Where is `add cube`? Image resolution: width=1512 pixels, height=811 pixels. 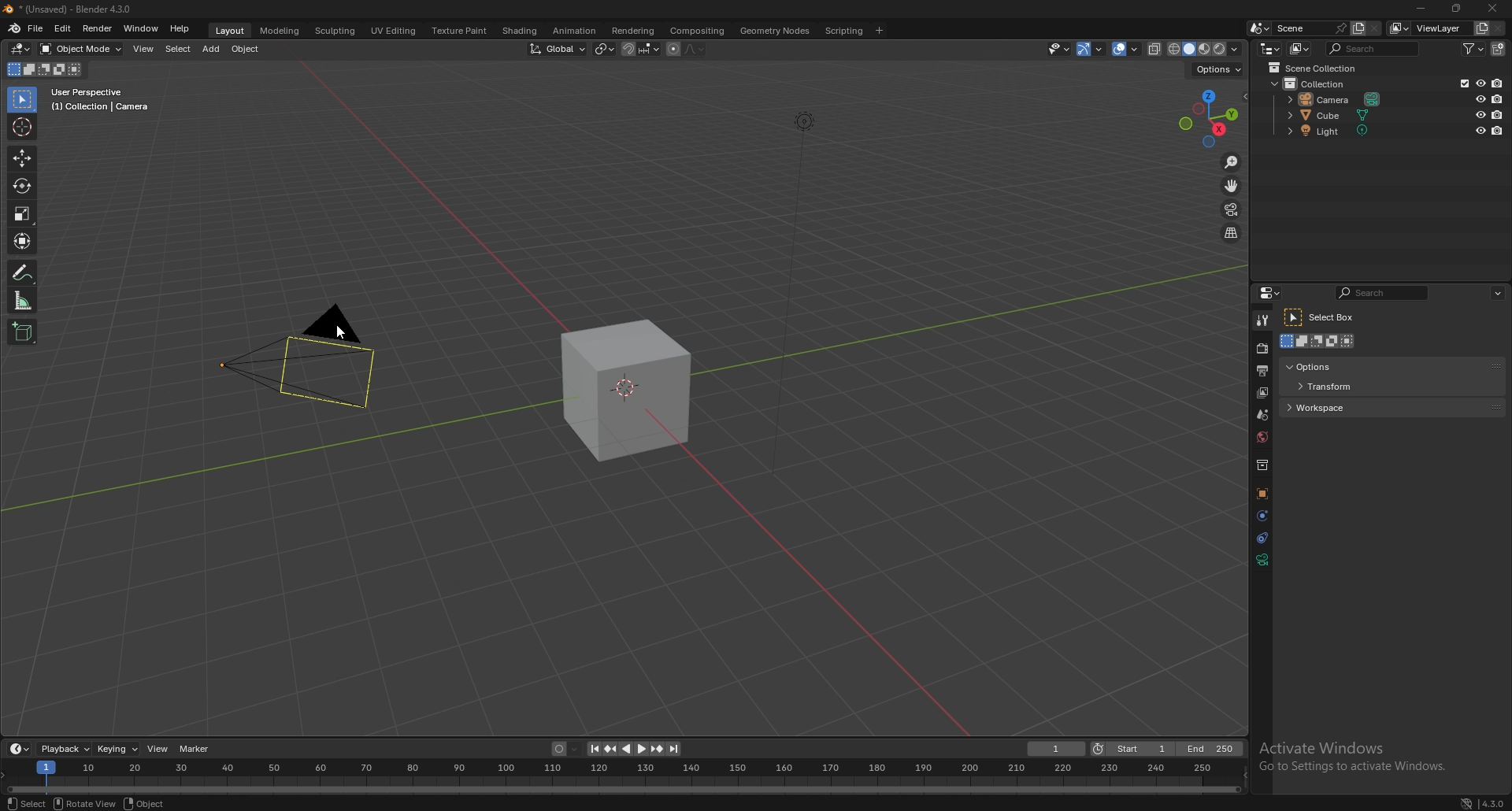
add cube is located at coordinates (20, 332).